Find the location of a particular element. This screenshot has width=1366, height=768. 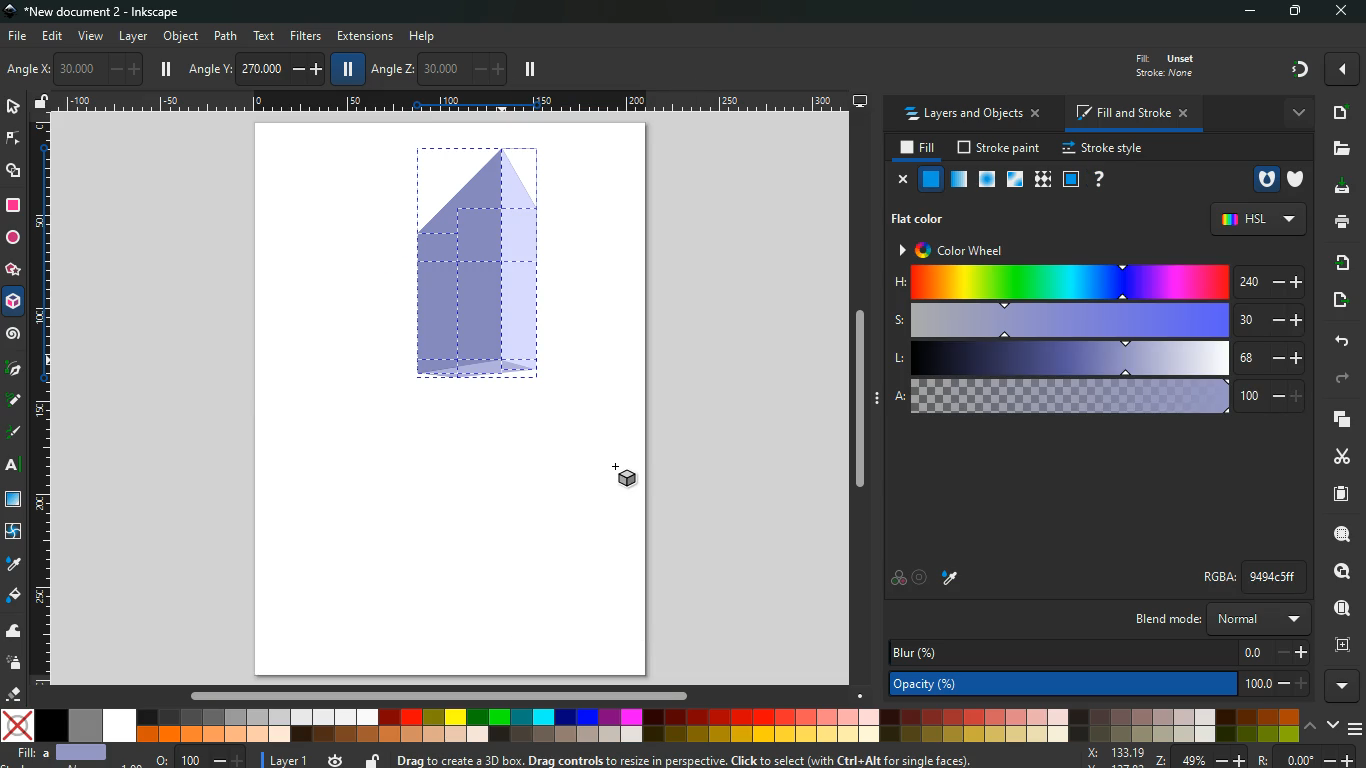

fill and stroke is located at coordinates (1130, 115).